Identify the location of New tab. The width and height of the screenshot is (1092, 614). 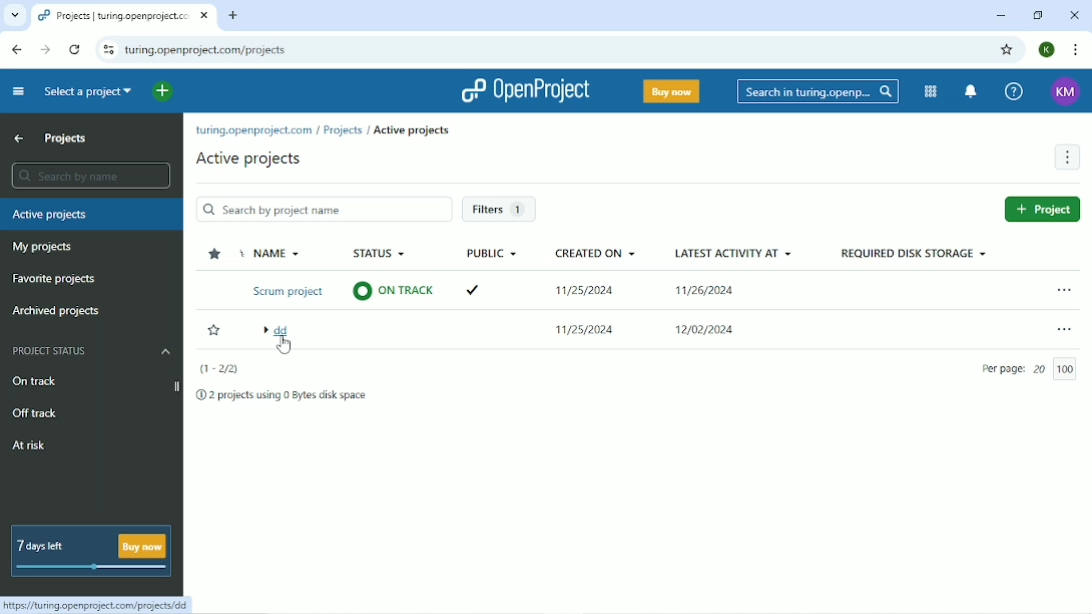
(233, 14).